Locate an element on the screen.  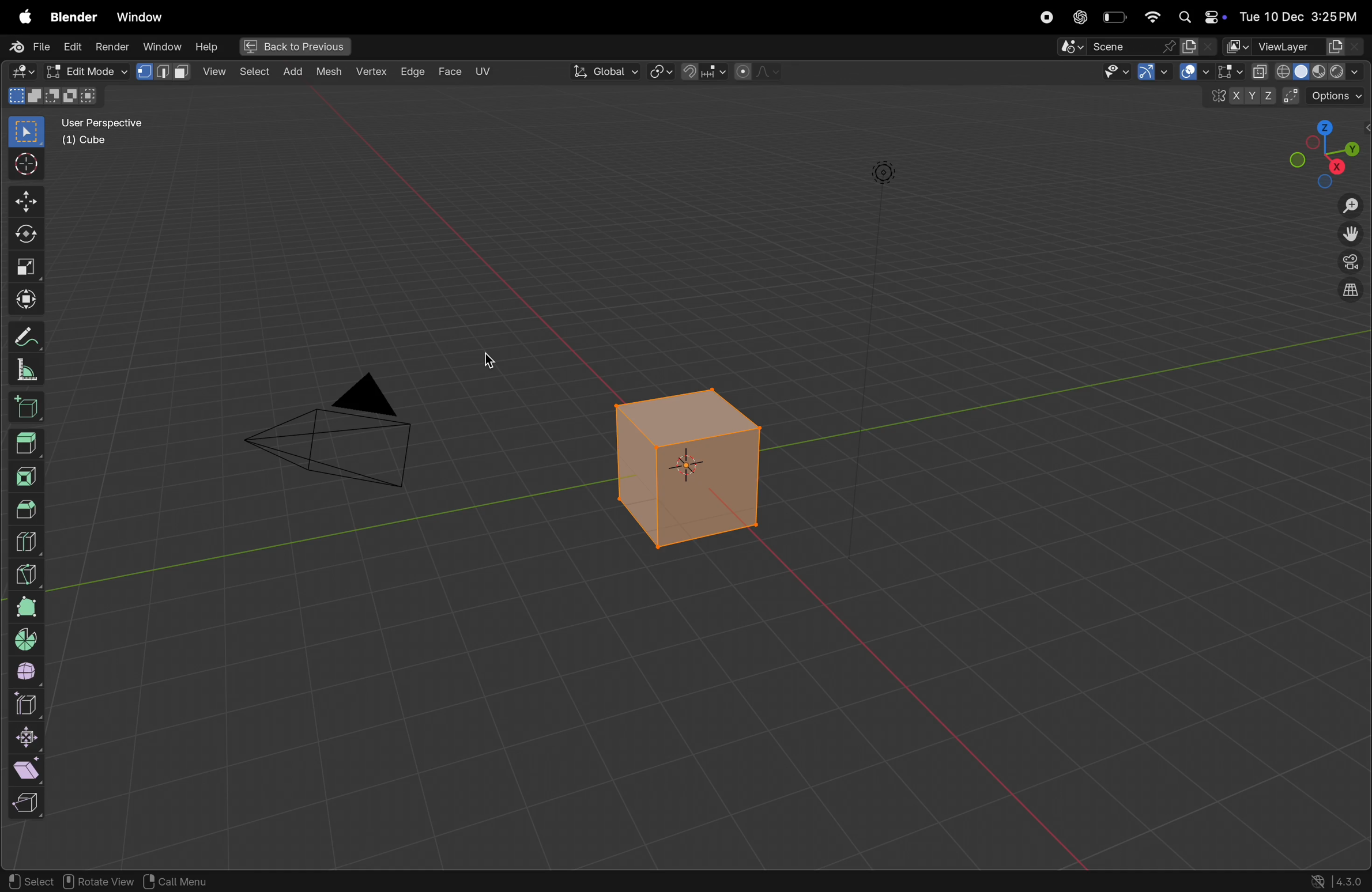
reep region is located at coordinates (24, 803).